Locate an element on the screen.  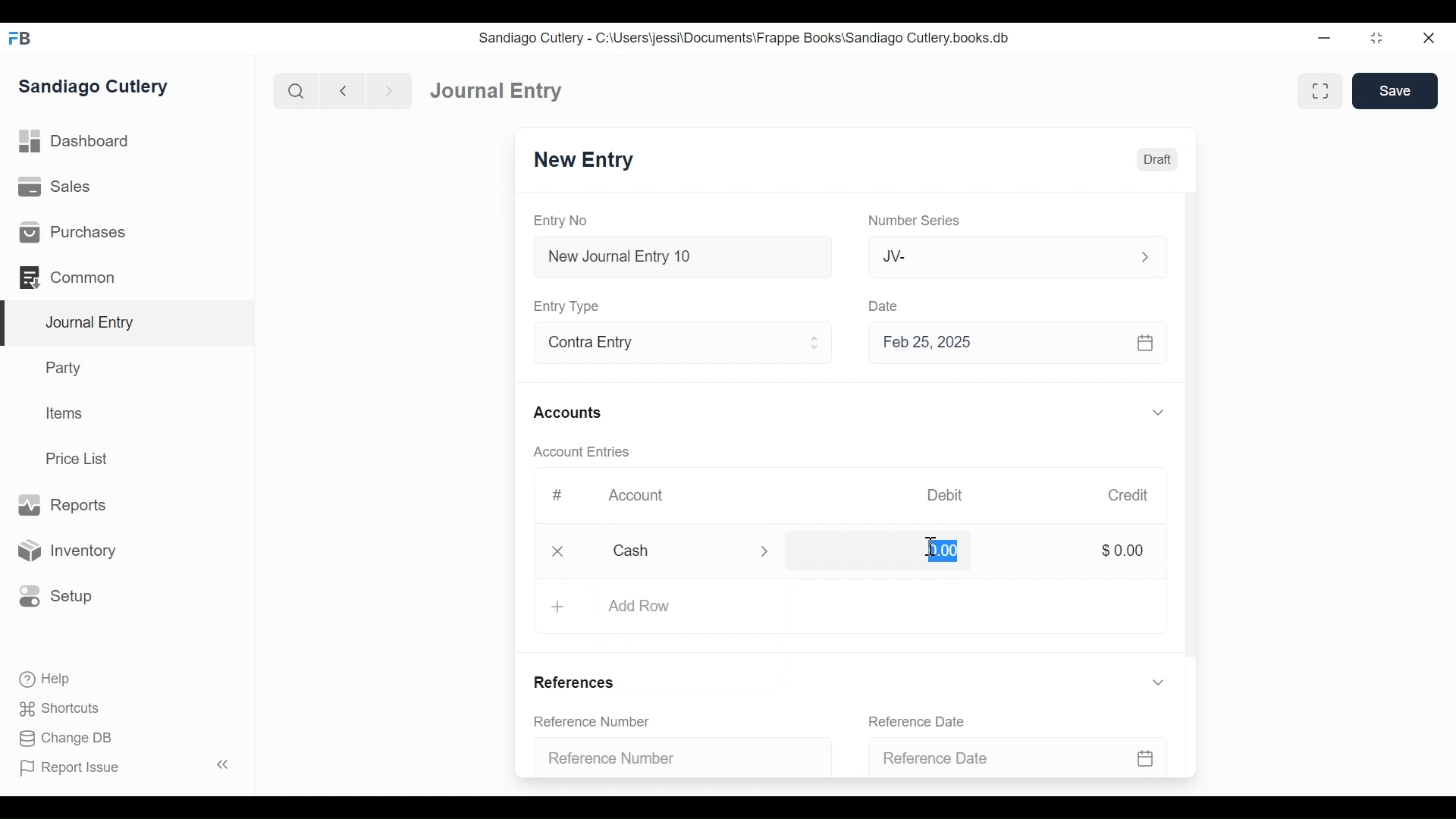
0.00 is located at coordinates (944, 552).